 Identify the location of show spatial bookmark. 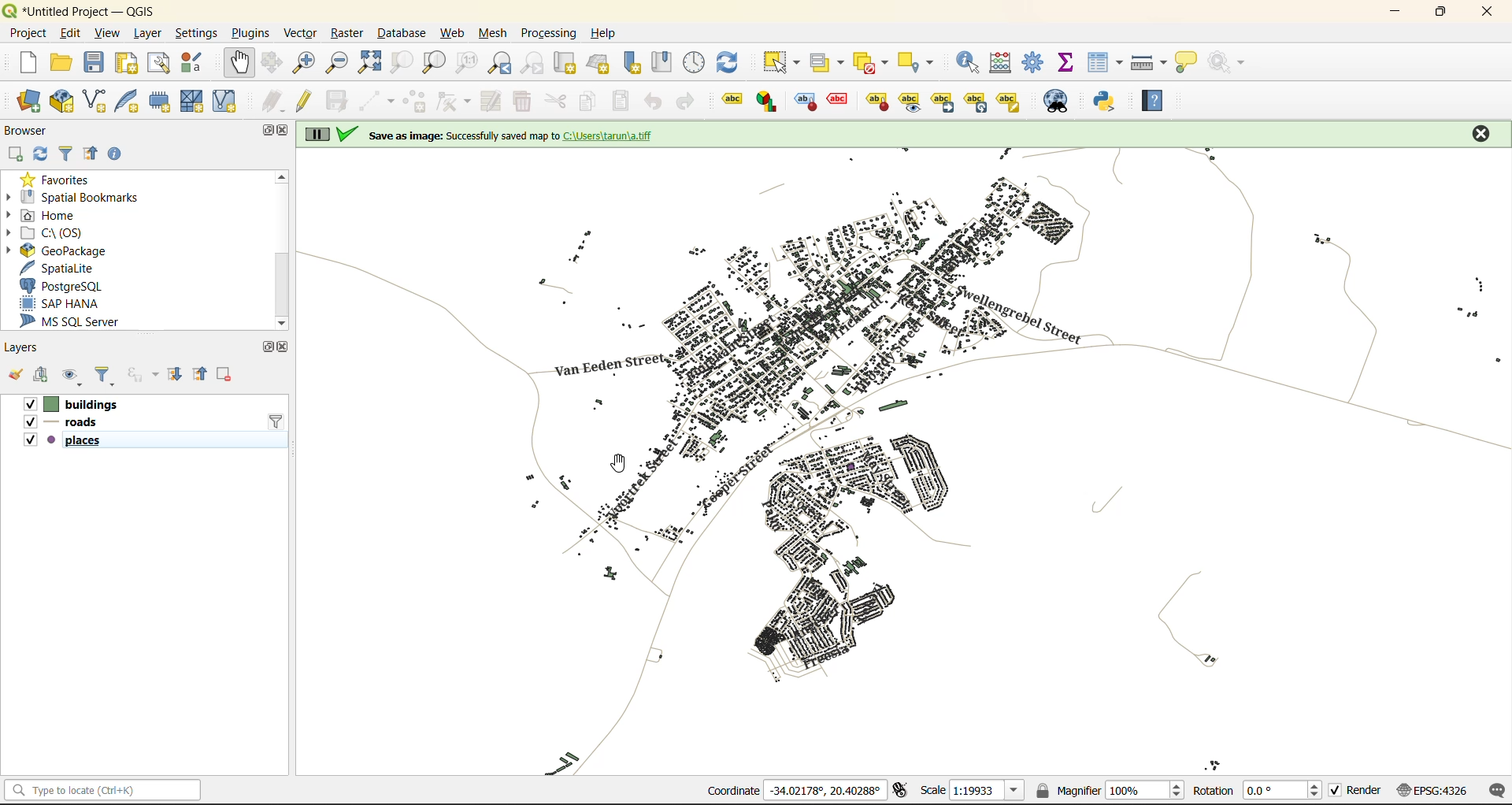
(665, 64).